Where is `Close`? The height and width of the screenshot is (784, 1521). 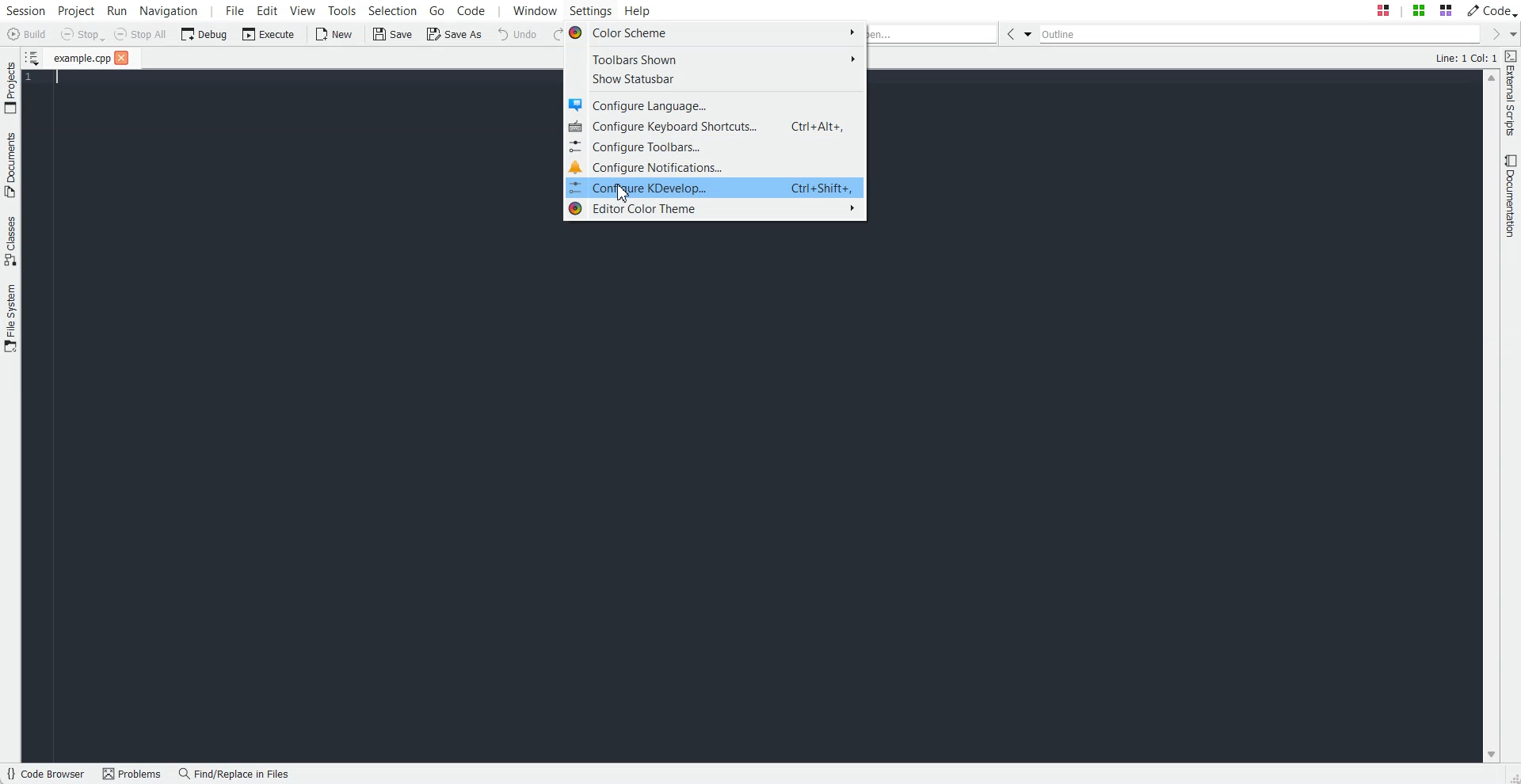 Close is located at coordinates (122, 57).